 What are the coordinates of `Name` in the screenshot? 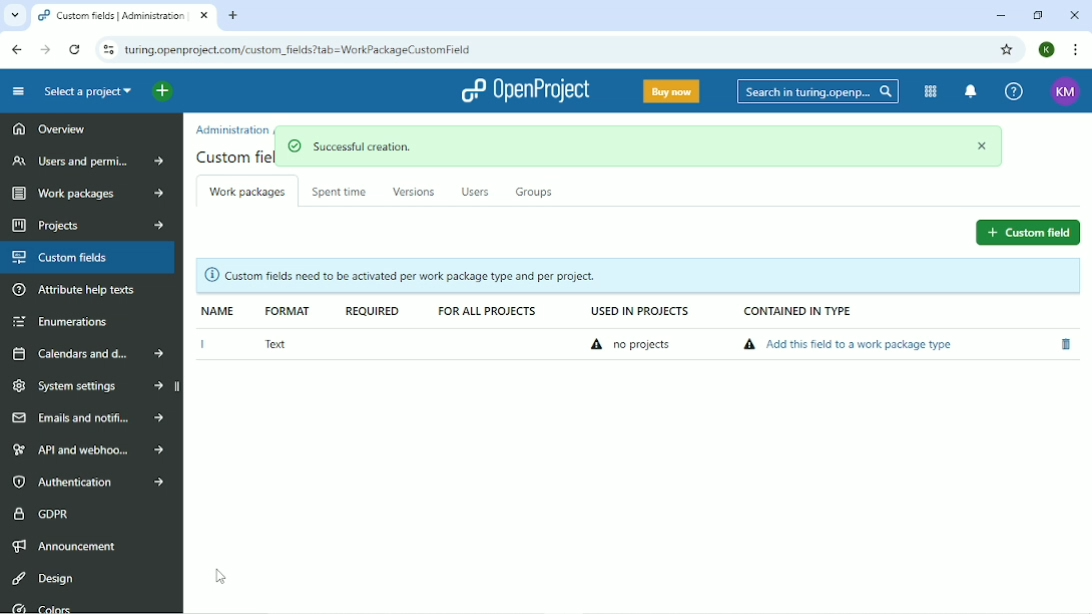 It's located at (219, 311).